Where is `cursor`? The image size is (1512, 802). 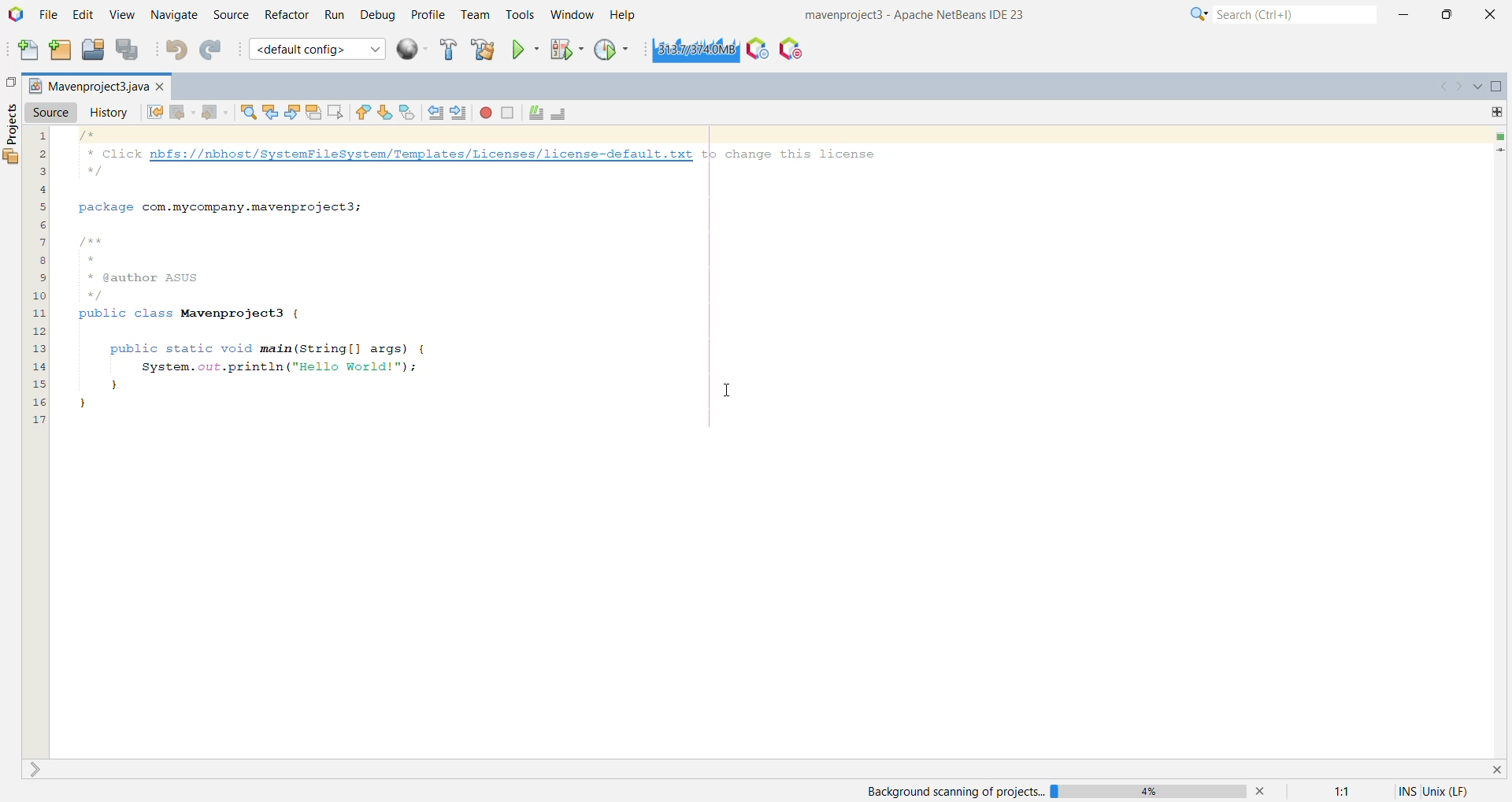 cursor is located at coordinates (730, 392).